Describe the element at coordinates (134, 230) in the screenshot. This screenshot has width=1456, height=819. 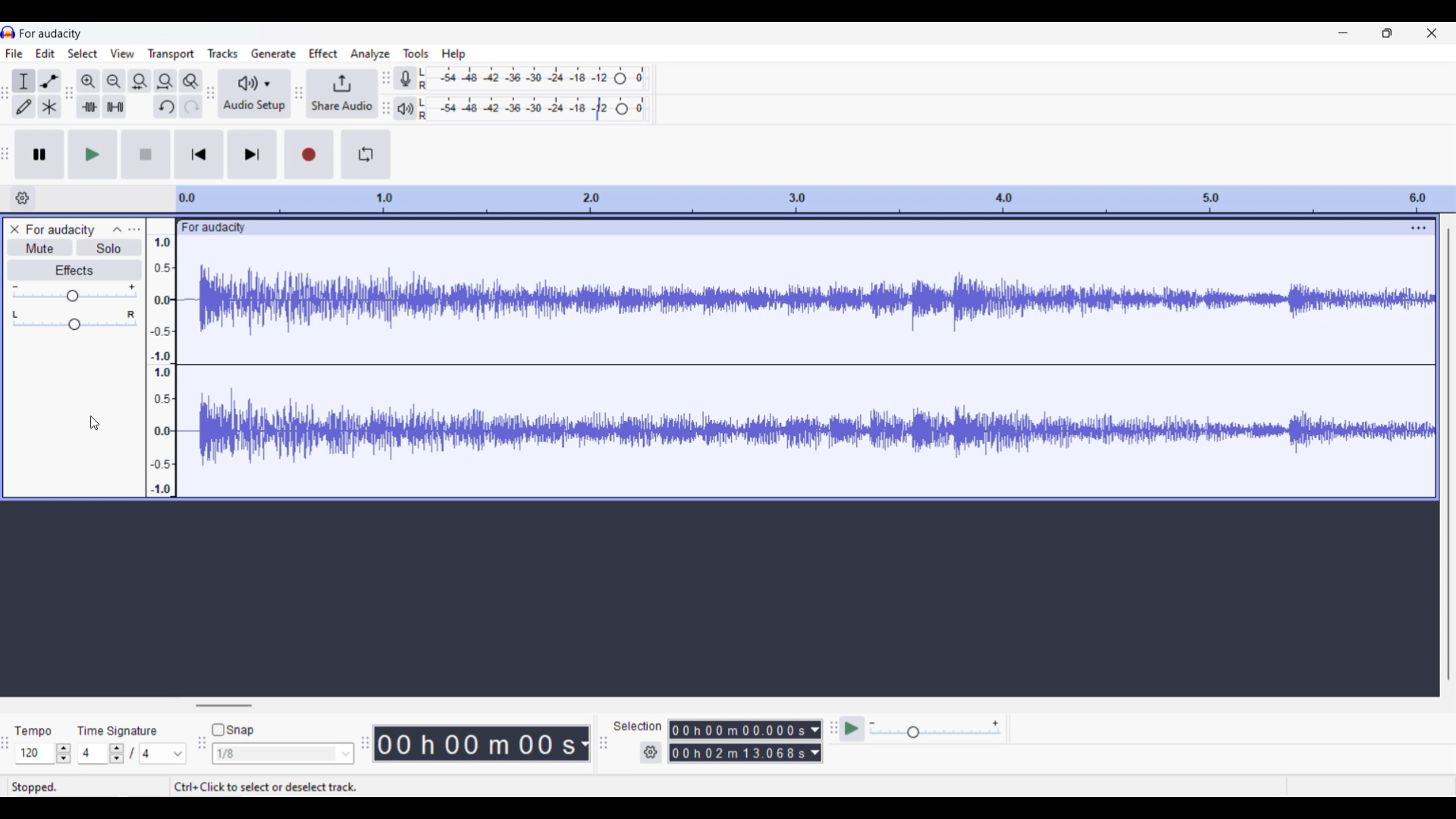
I see `Open menu` at that location.